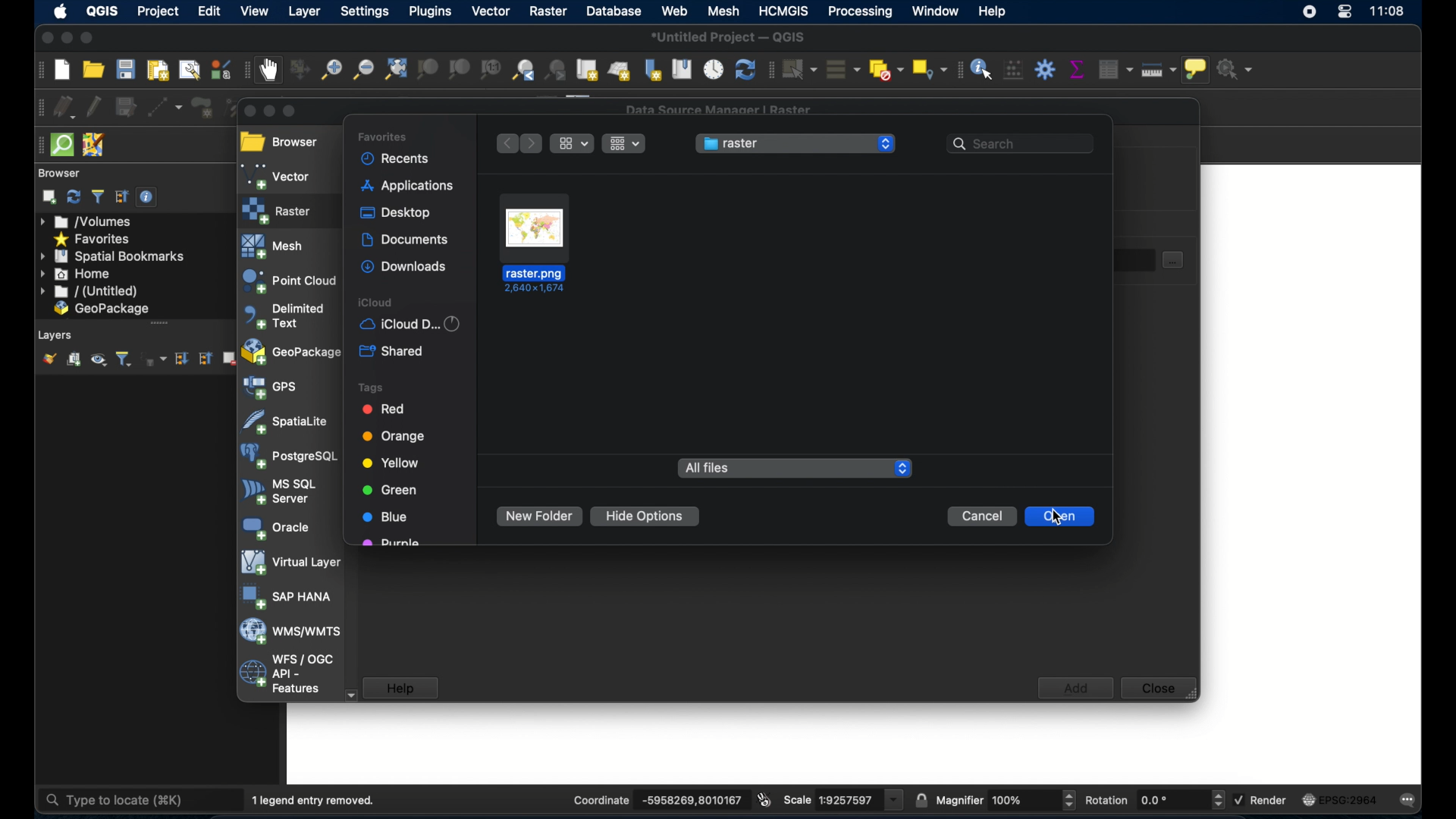 This screenshot has height=819, width=1456. What do you see at coordinates (125, 105) in the screenshot?
I see `save layer edits` at bounding box center [125, 105].